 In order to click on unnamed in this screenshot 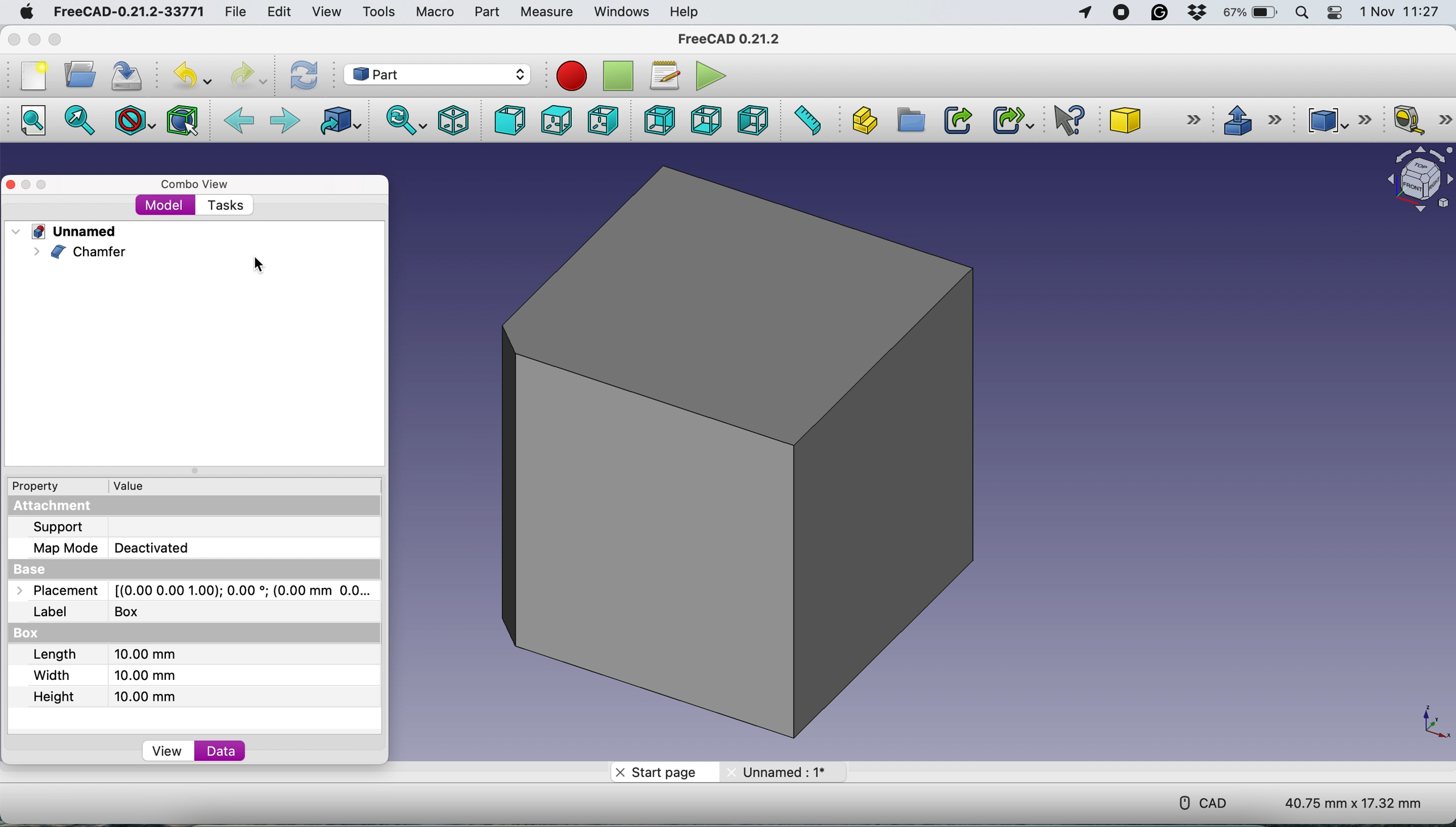, I will do `click(774, 772)`.